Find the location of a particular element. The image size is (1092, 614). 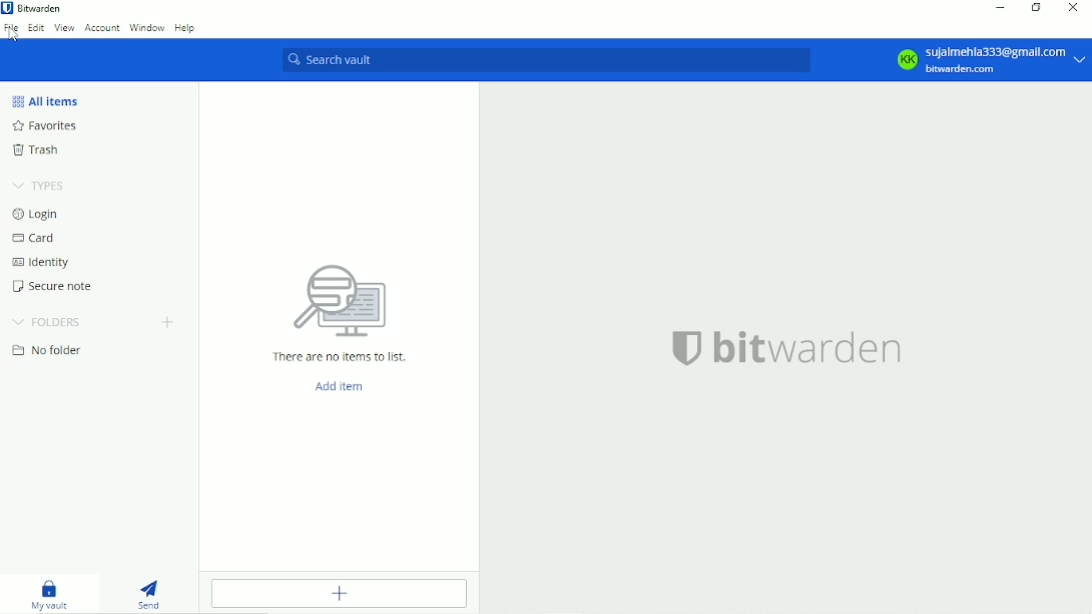

Close is located at coordinates (1074, 9).